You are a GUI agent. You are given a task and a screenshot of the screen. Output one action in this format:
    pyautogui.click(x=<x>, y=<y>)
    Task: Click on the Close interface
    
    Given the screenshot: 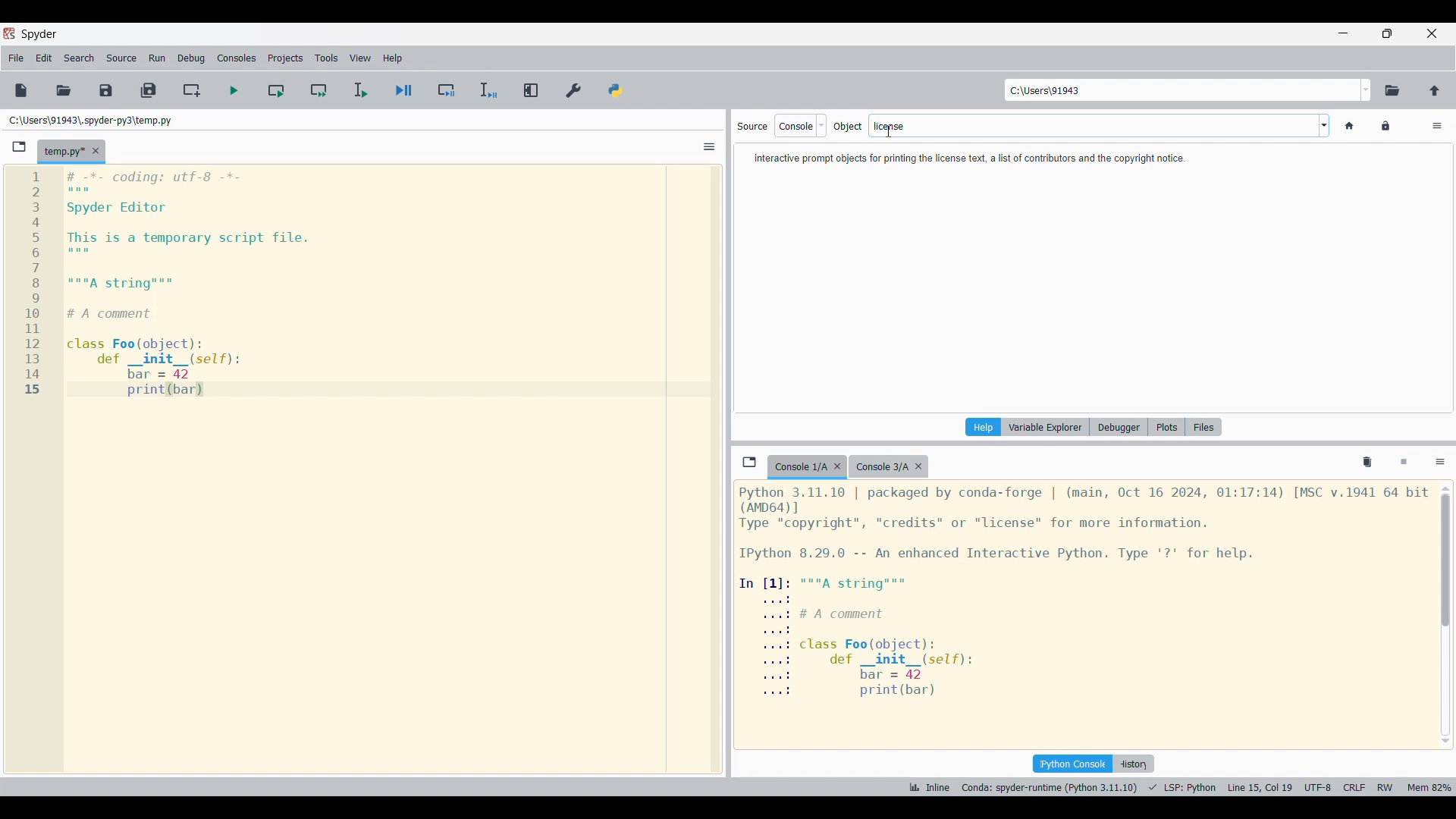 What is the action you would take?
    pyautogui.click(x=1432, y=33)
    